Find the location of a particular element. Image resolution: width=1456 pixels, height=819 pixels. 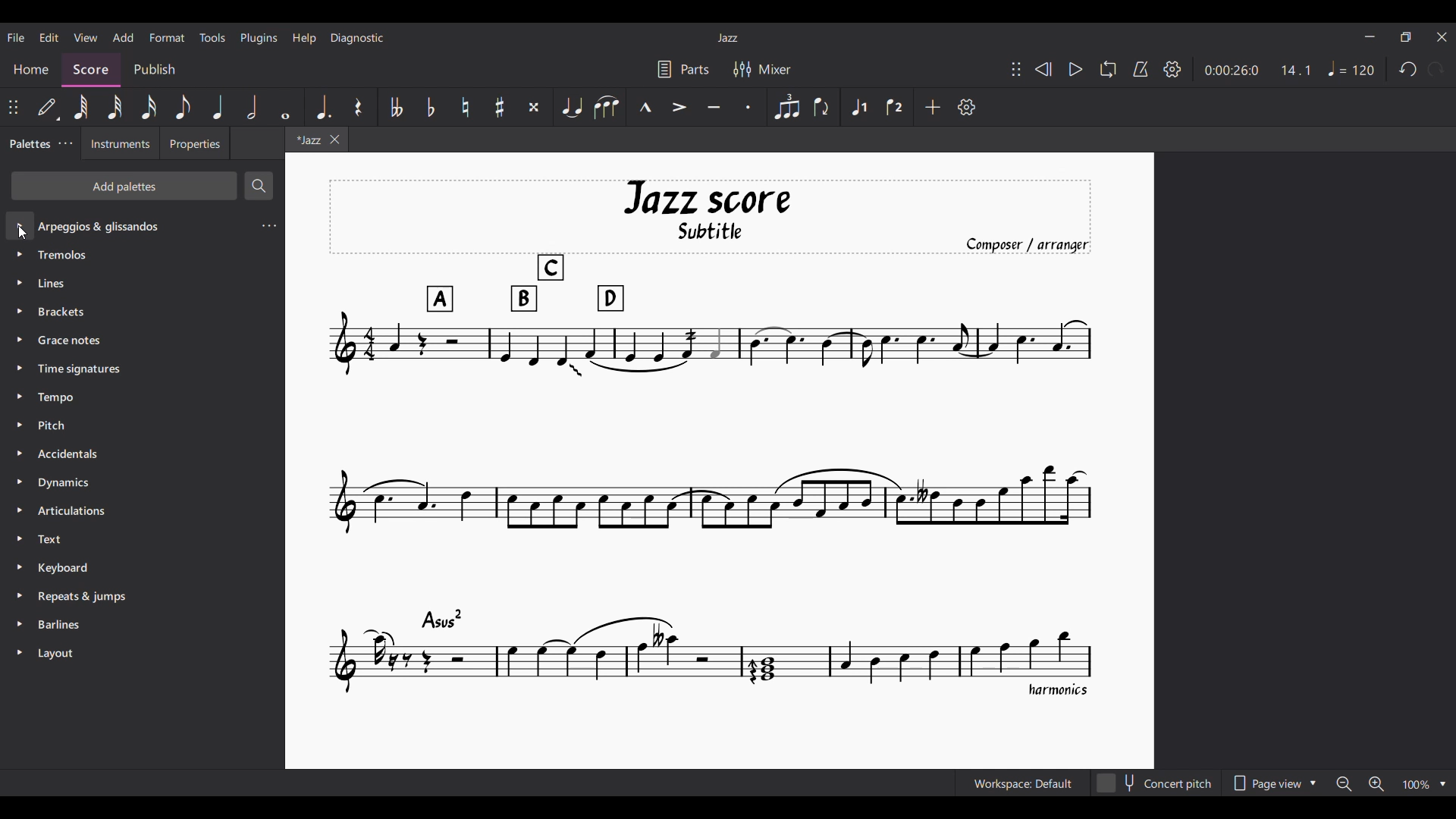

Change position is located at coordinates (14, 107).